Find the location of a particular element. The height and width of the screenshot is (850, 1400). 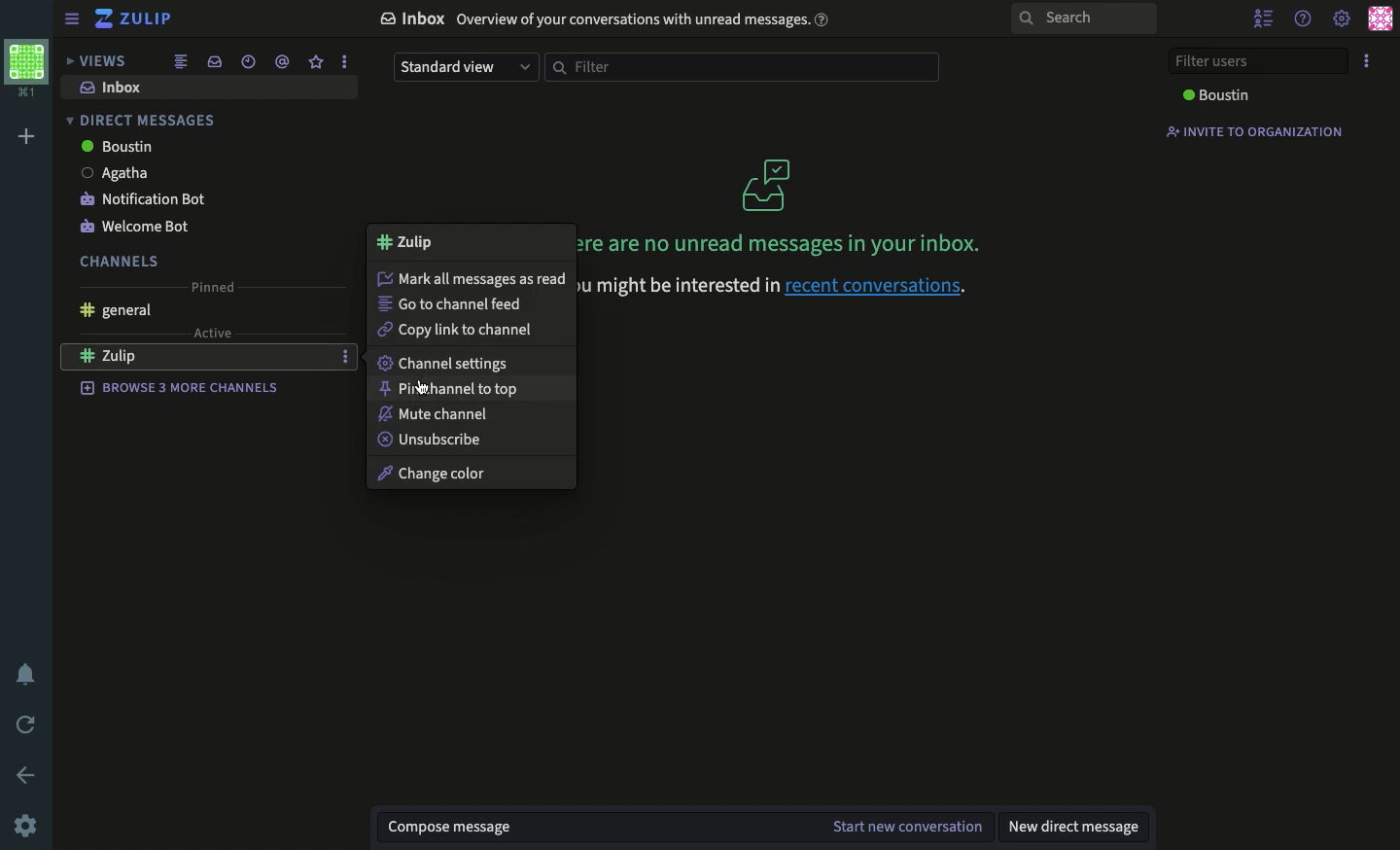

favorite is located at coordinates (314, 62).